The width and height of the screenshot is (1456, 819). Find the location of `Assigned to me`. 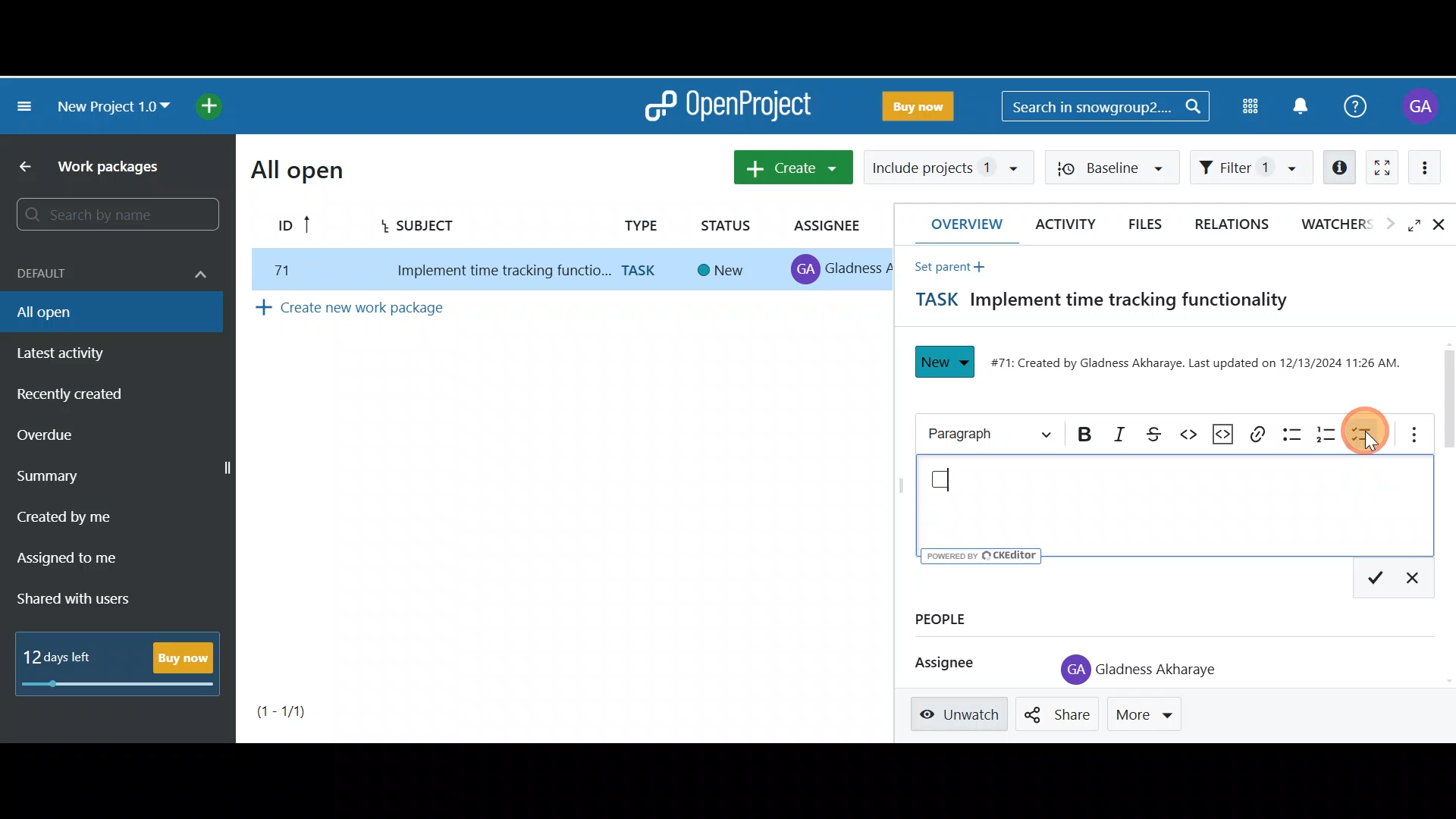

Assigned to me is located at coordinates (74, 557).